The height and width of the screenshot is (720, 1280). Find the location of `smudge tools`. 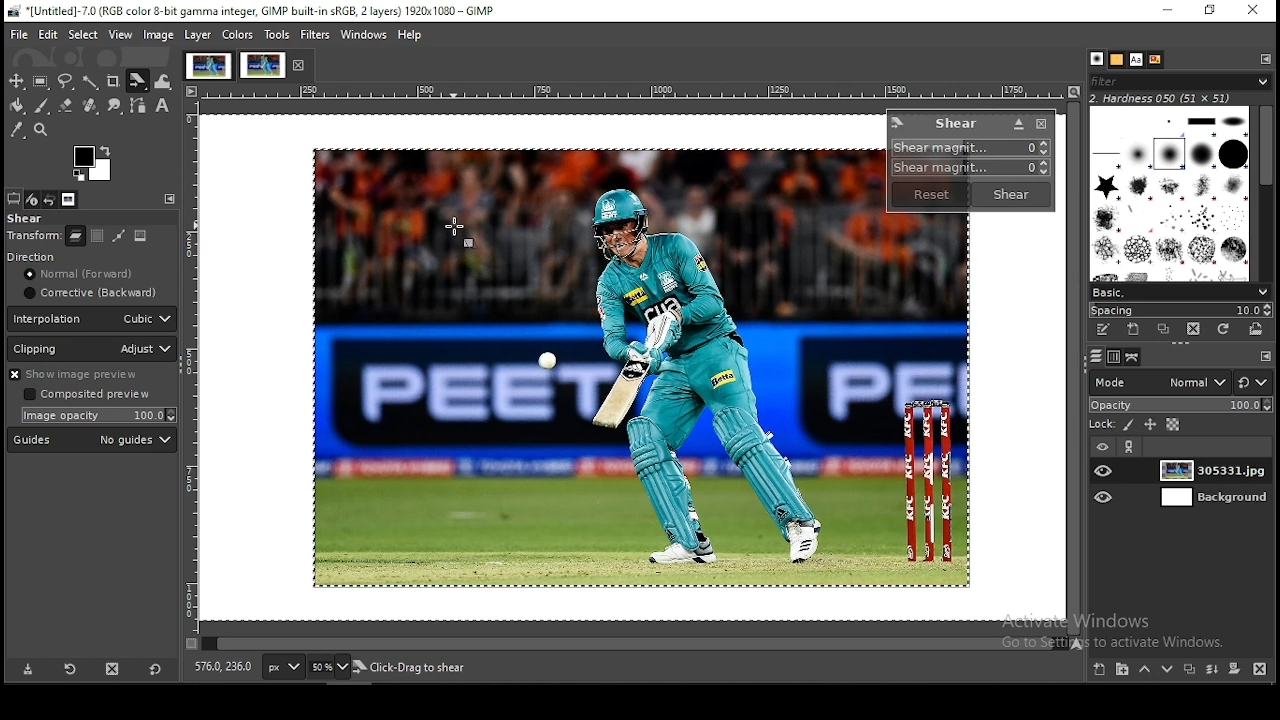

smudge tools is located at coordinates (113, 105).